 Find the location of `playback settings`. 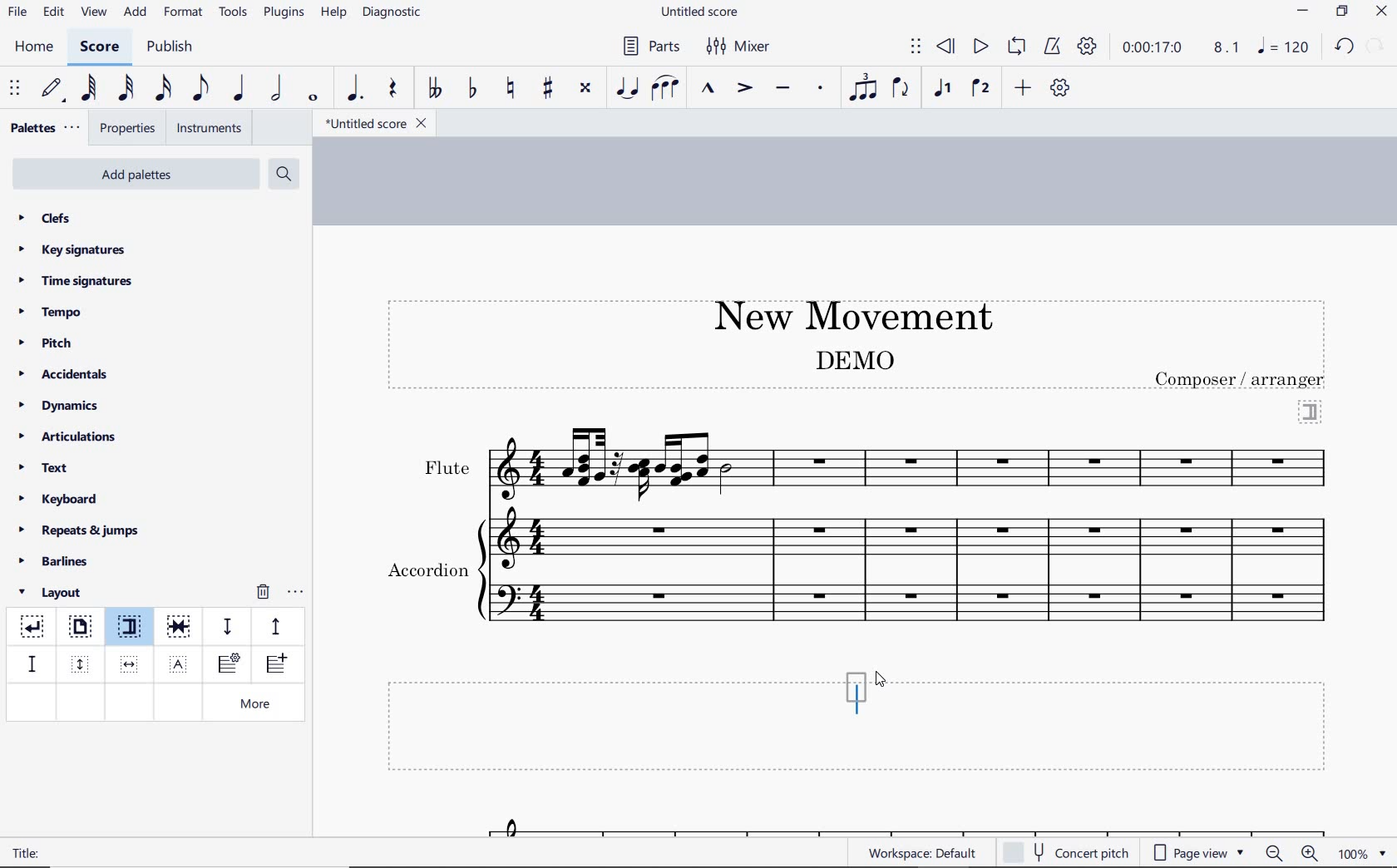

playback settings is located at coordinates (1089, 46).